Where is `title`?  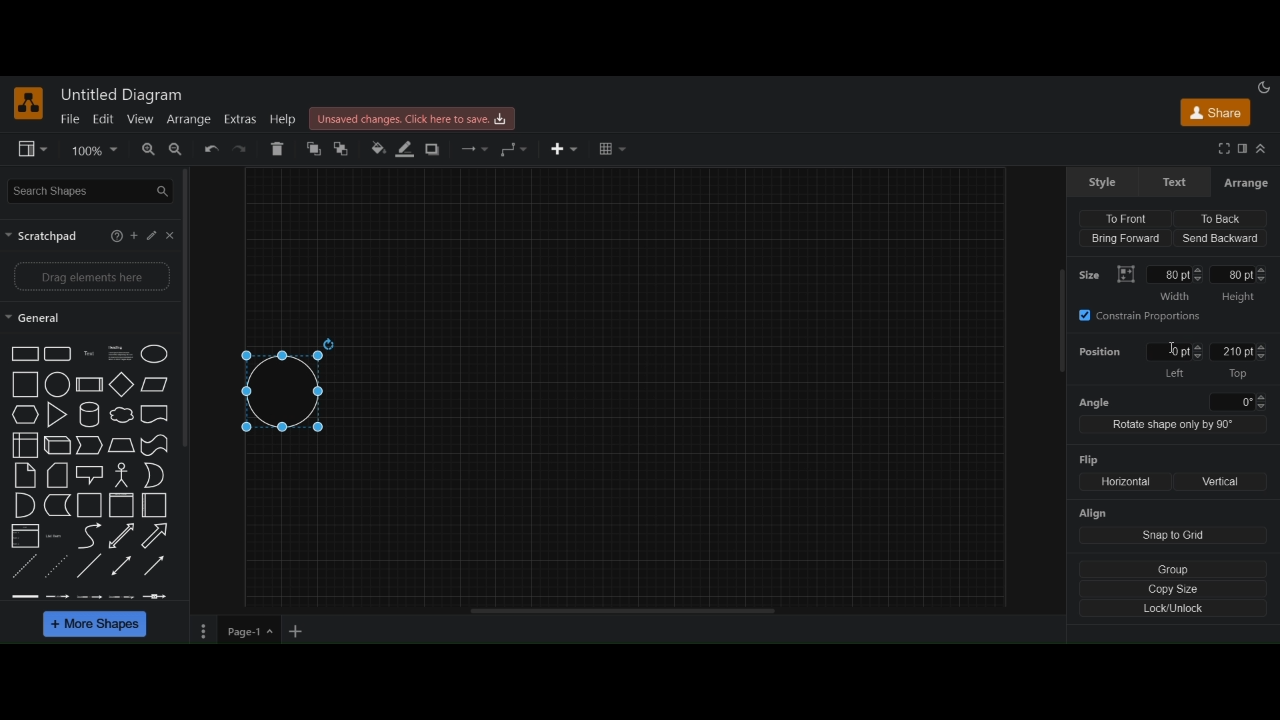 title is located at coordinates (125, 95).